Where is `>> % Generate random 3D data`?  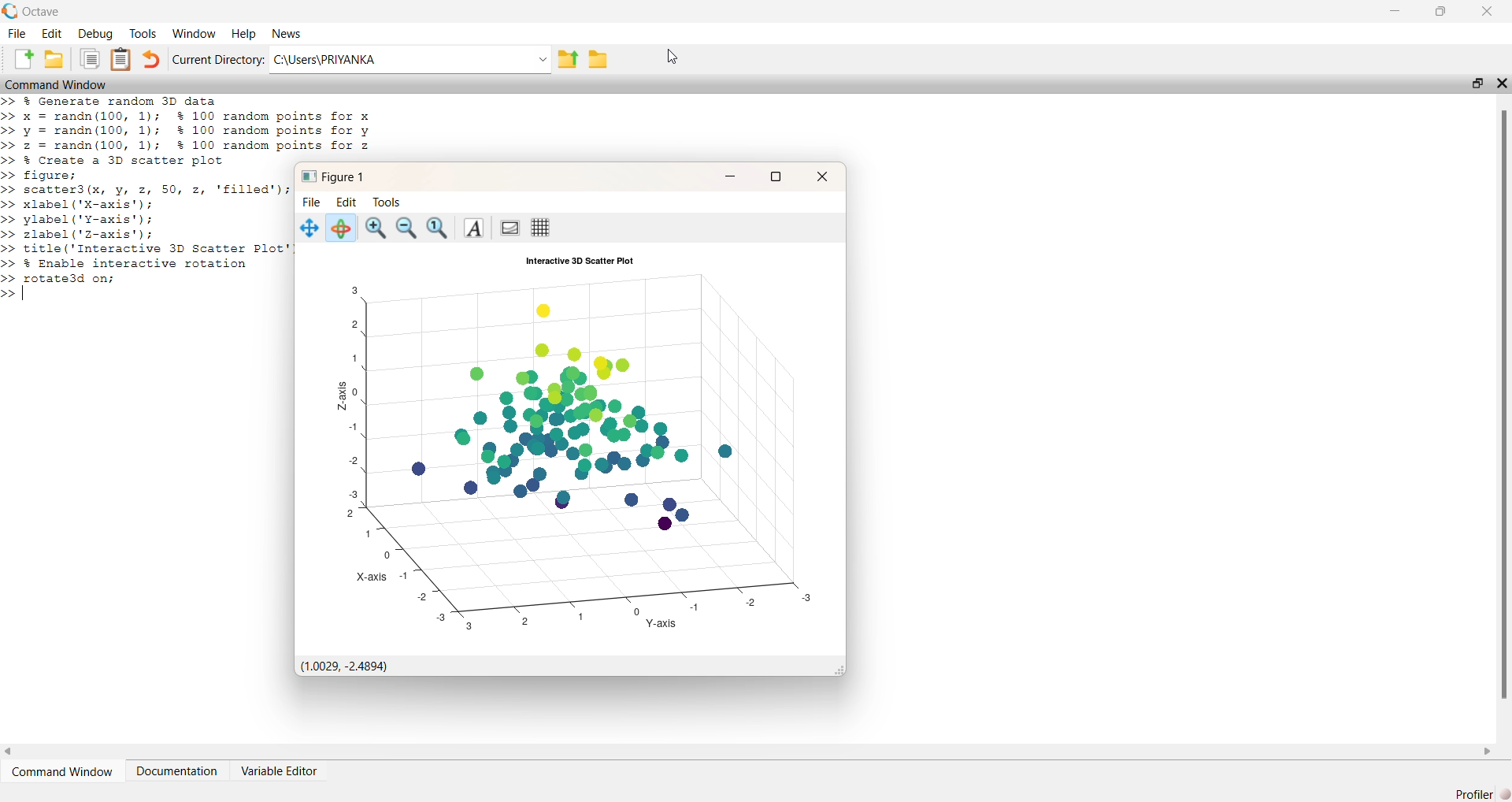
>> % Generate random 3D data is located at coordinates (112, 101).